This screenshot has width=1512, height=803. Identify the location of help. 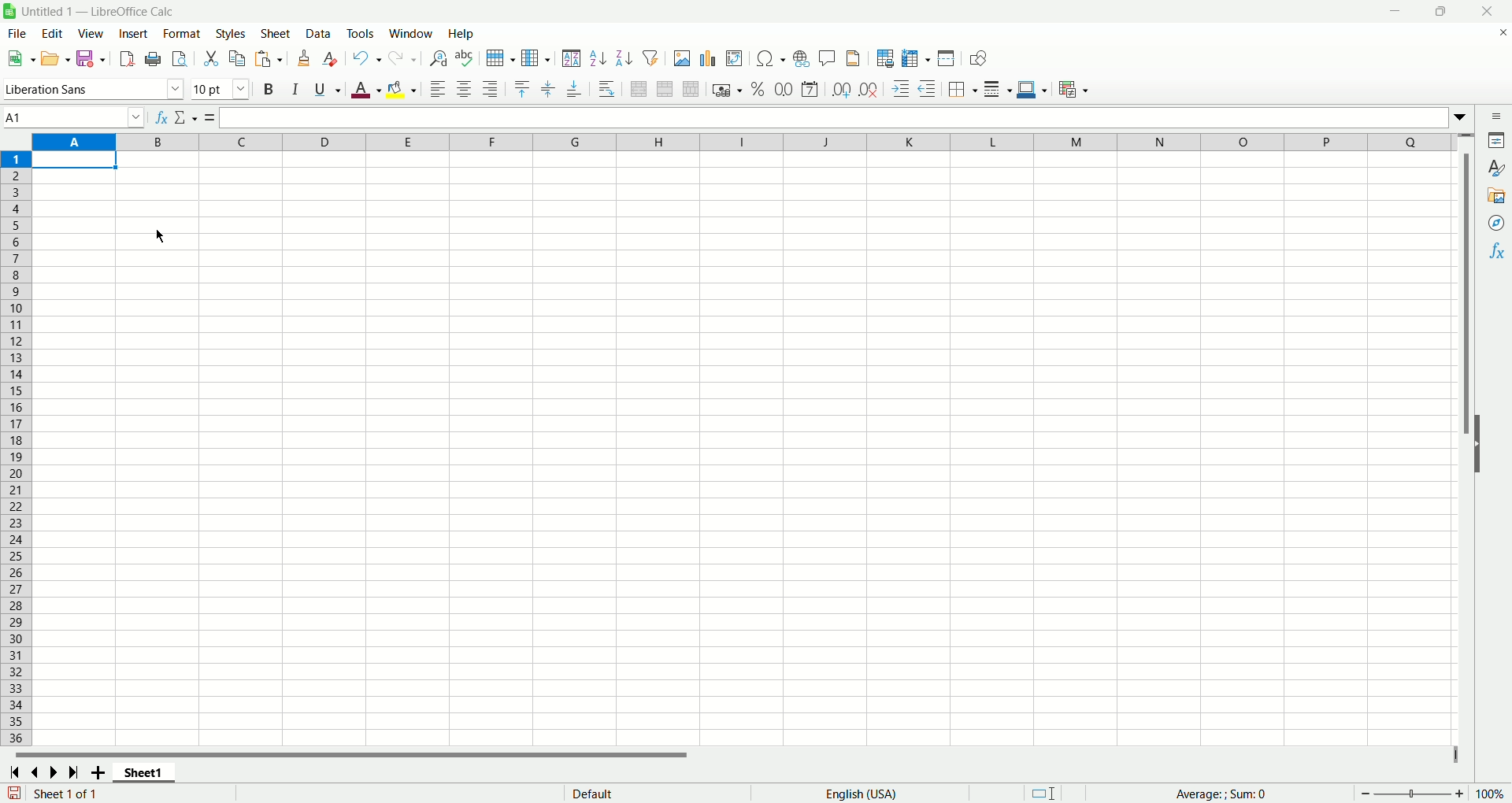
(459, 35).